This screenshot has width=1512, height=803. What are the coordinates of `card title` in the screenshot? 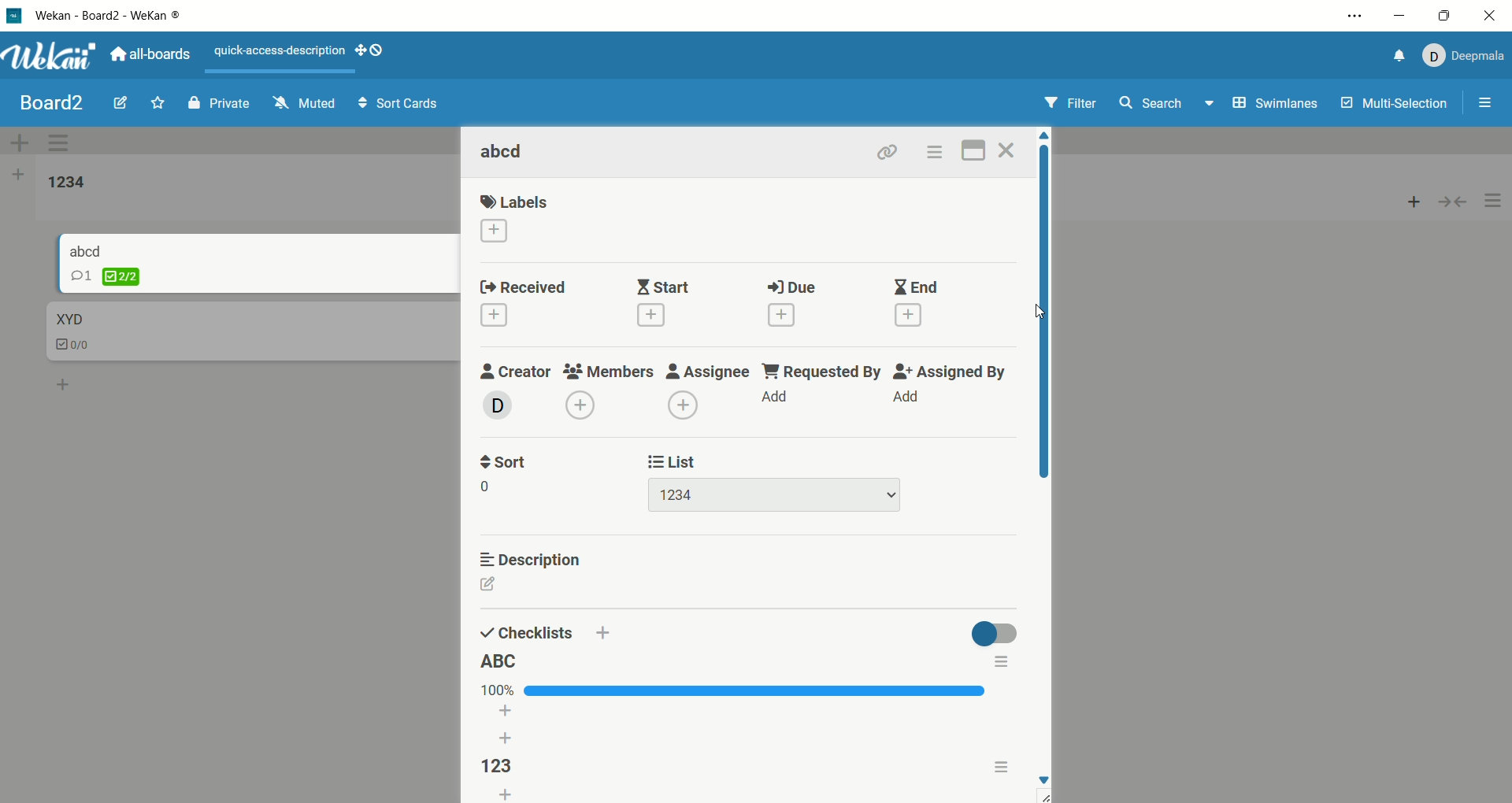 It's located at (87, 250).